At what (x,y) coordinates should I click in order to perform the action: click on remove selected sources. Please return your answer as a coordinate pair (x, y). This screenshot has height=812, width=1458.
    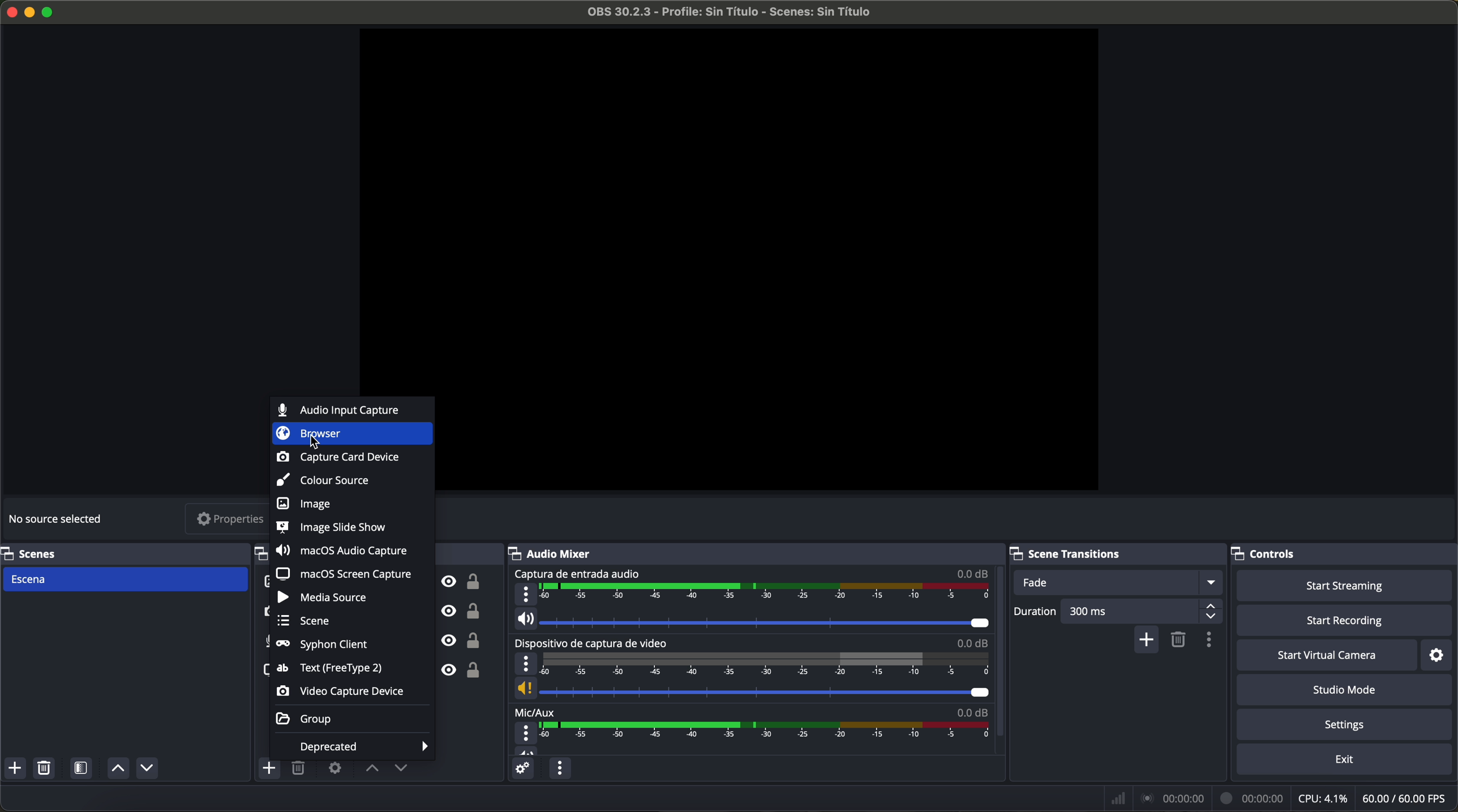
    Looking at the image, I should click on (301, 769).